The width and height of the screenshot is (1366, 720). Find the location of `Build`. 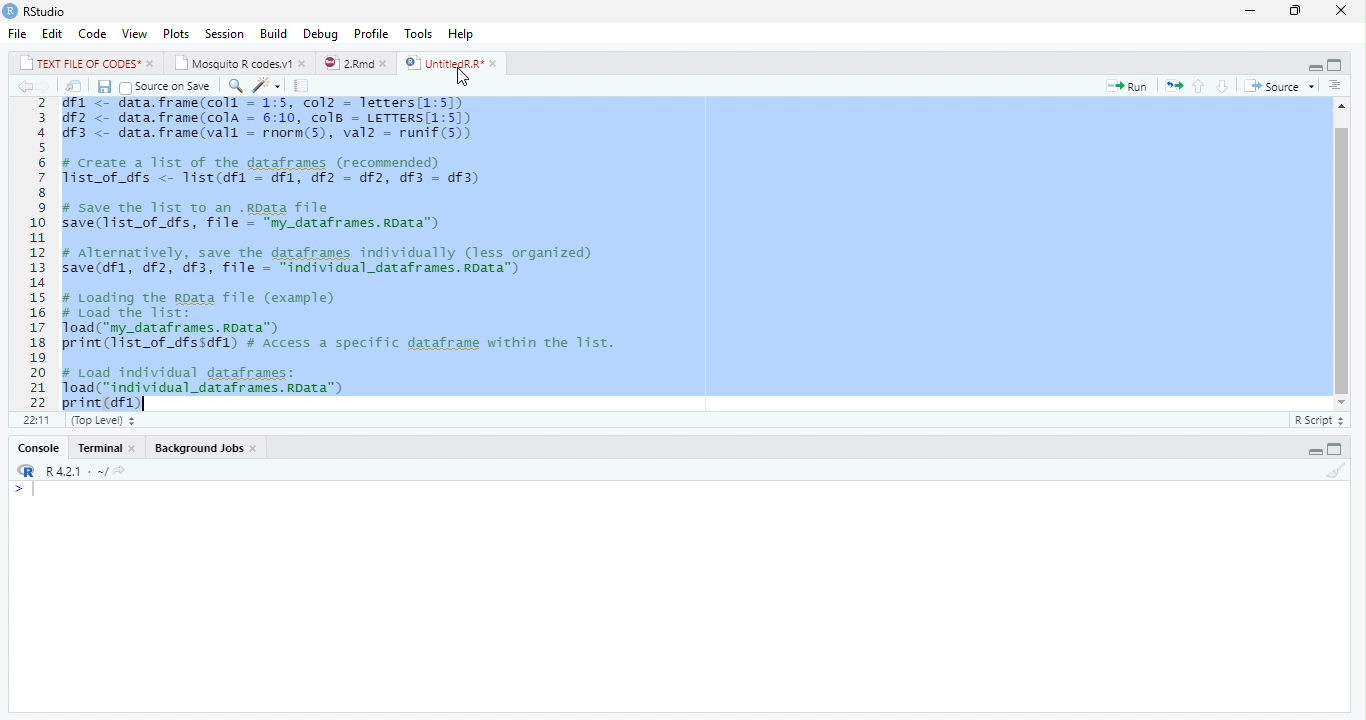

Build is located at coordinates (275, 32).